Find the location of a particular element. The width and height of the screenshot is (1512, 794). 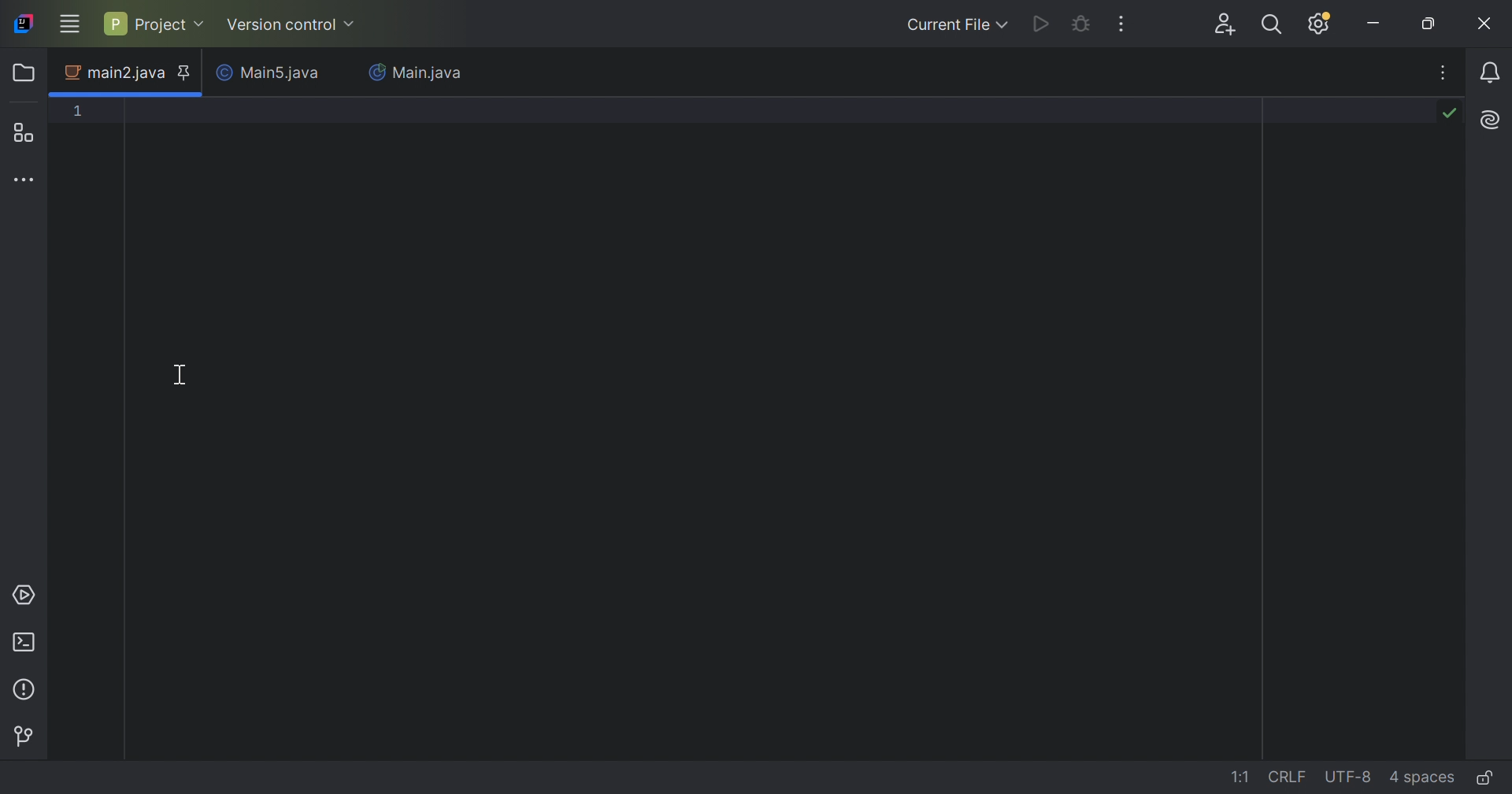

IntelliJ IDEA icon is located at coordinates (24, 24).